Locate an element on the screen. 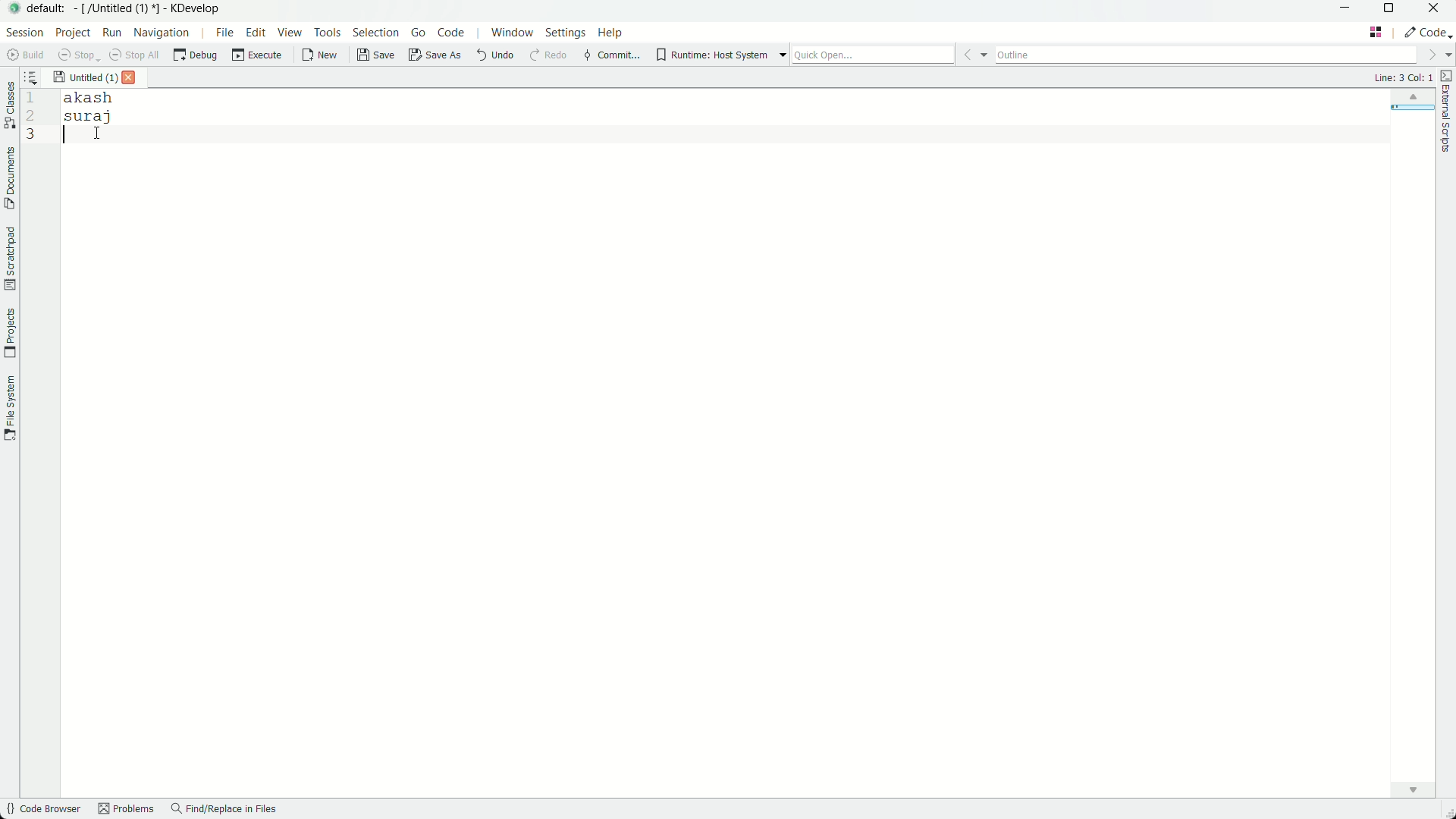 The height and width of the screenshot is (819, 1456). app name and location - default: [/Untitled (1) *] - KDevelop is located at coordinates (124, 8).